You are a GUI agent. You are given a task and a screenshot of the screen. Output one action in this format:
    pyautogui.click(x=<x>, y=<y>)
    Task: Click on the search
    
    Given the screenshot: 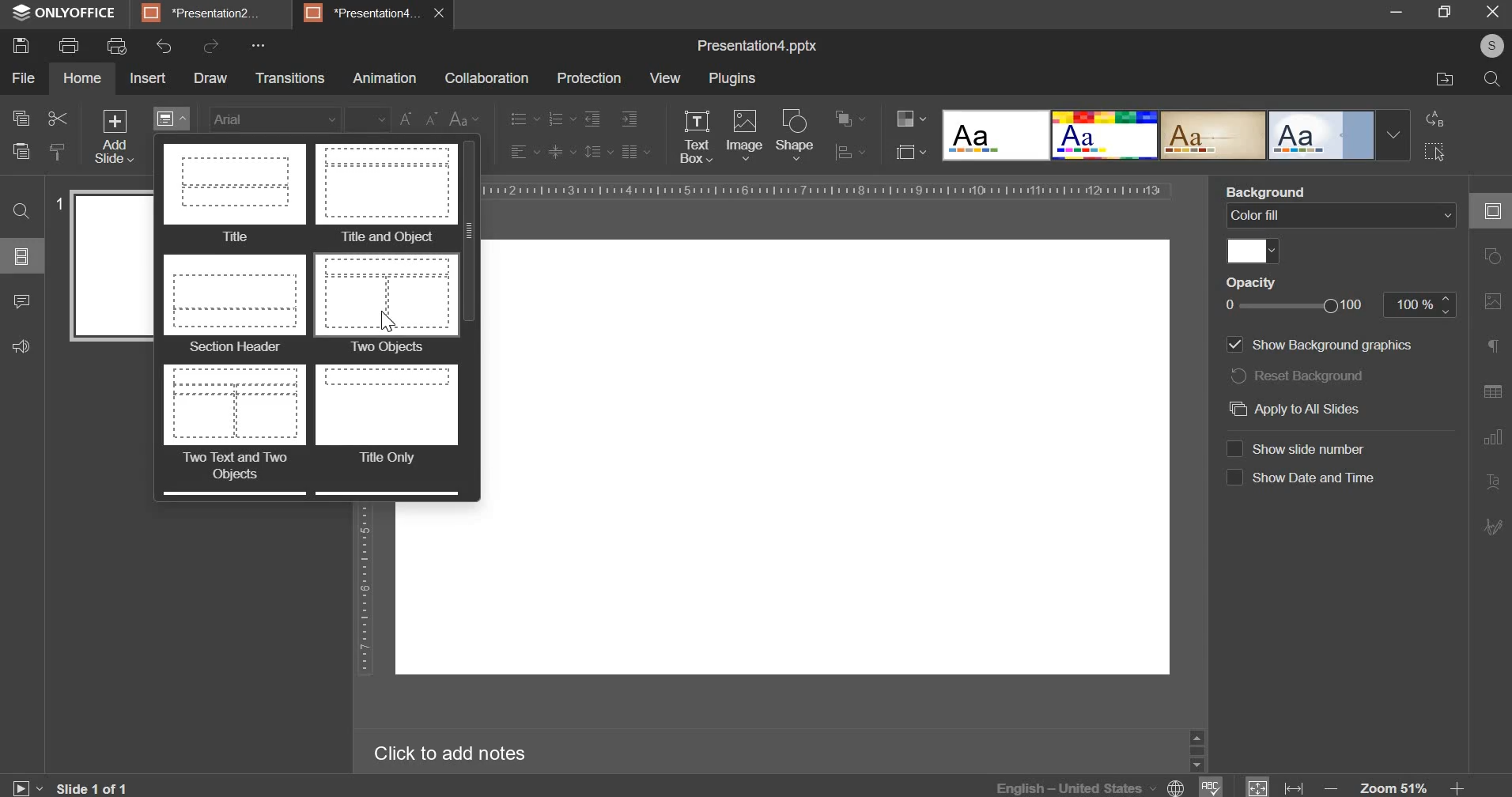 What is the action you would take?
    pyautogui.click(x=1491, y=81)
    